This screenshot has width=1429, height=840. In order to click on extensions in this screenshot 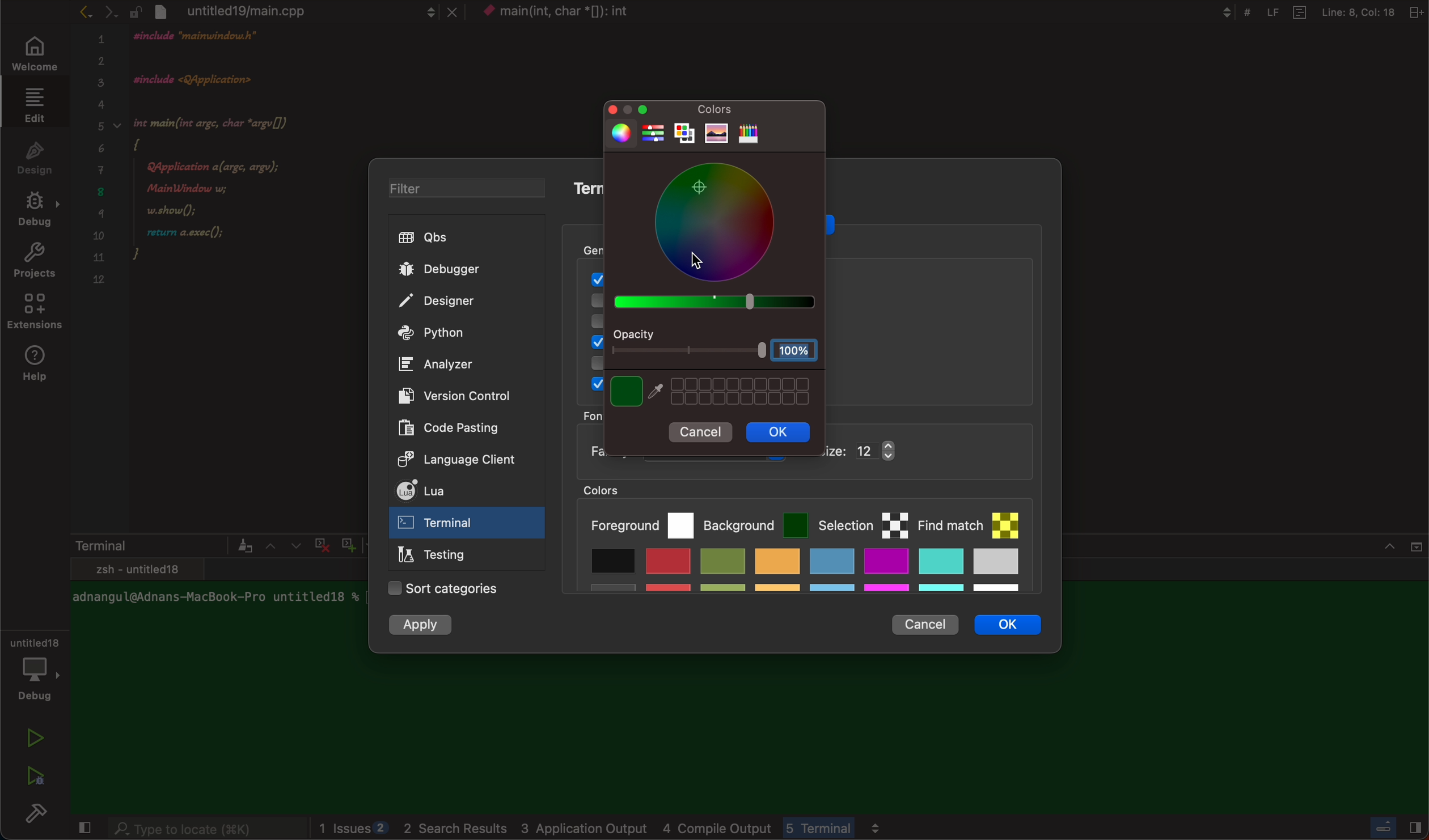, I will do `click(36, 315)`.